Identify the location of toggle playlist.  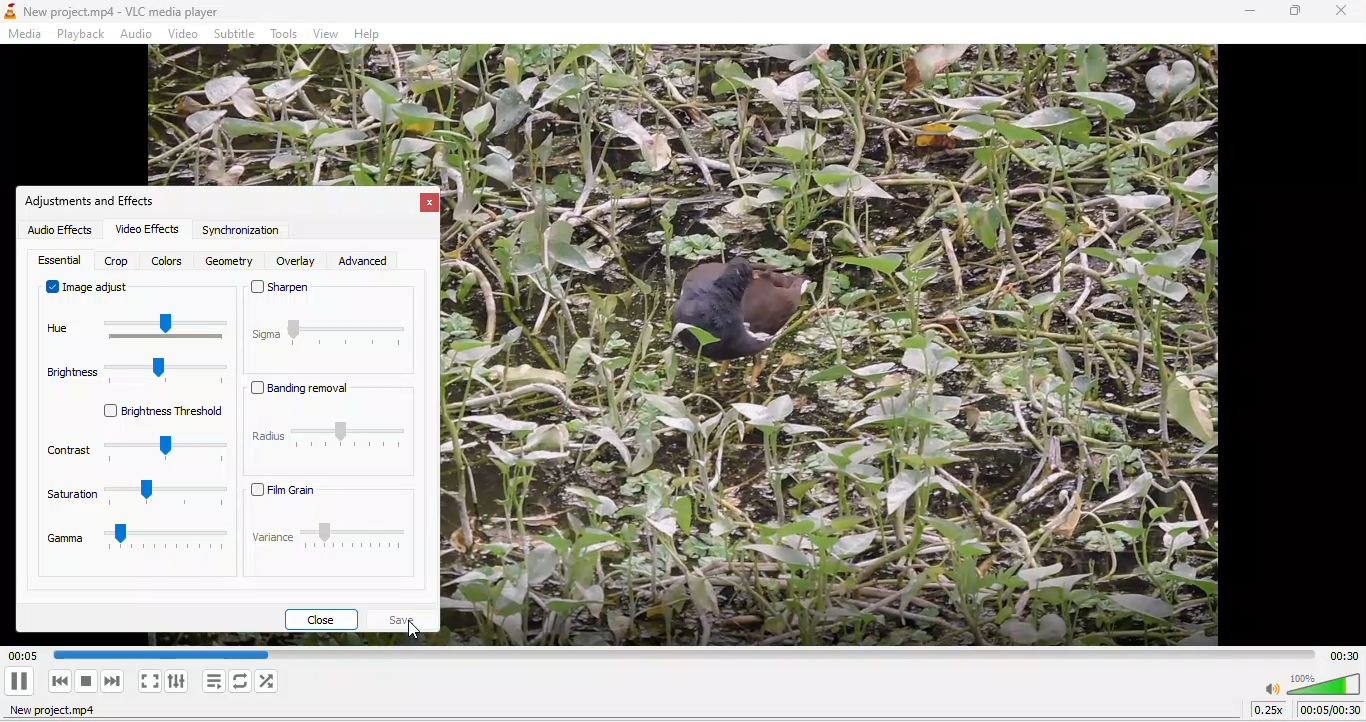
(211, 684).